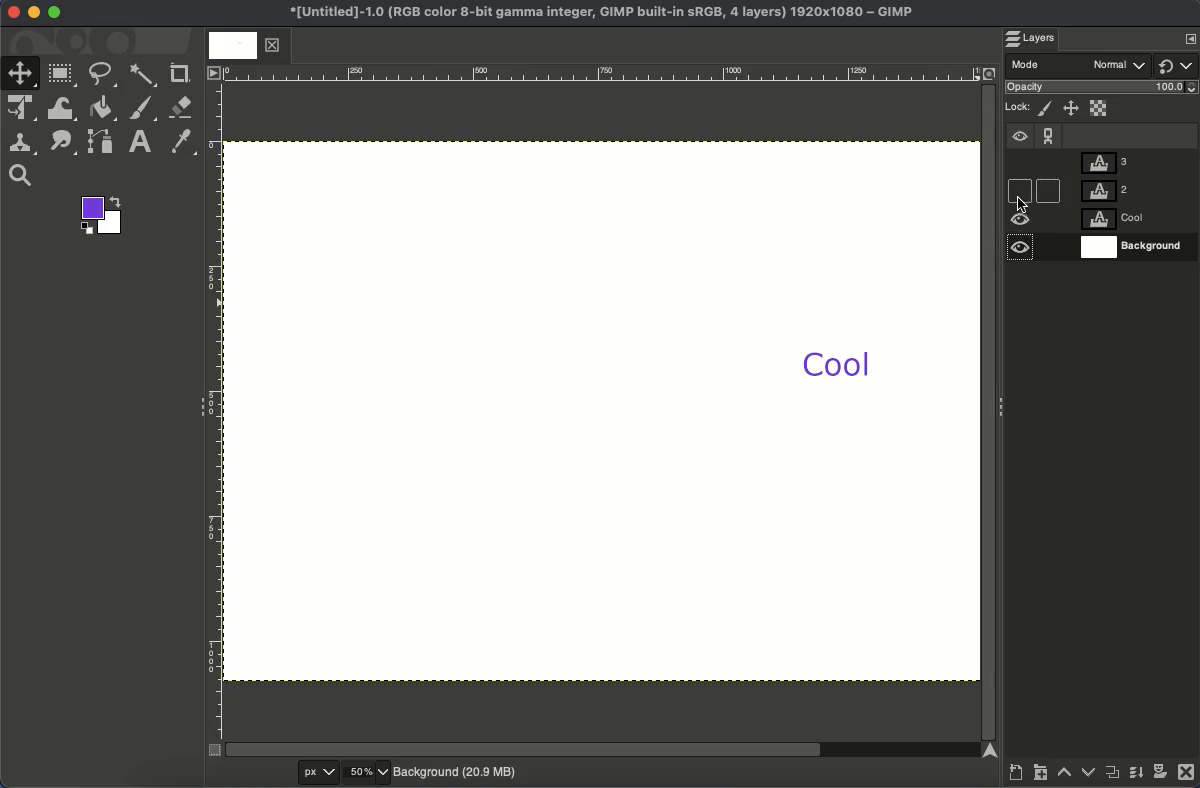 Image resolution: width=1200 pixels, height=788 pixels. I want to click on Alpha, so click(1100, 107).